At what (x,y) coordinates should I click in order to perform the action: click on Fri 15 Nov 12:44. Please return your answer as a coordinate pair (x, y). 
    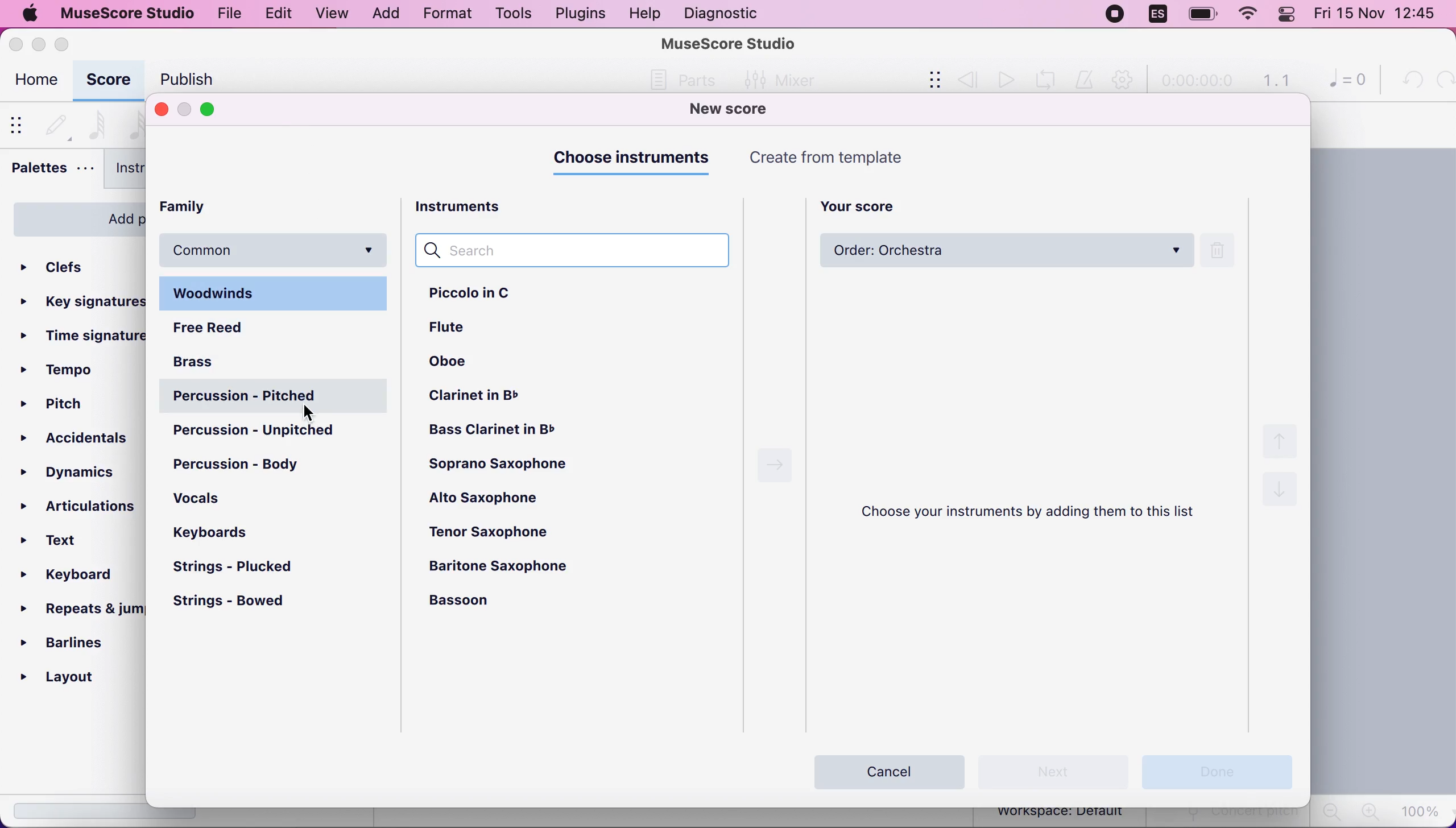
    Looking at the image, I should click on (1379, 15).